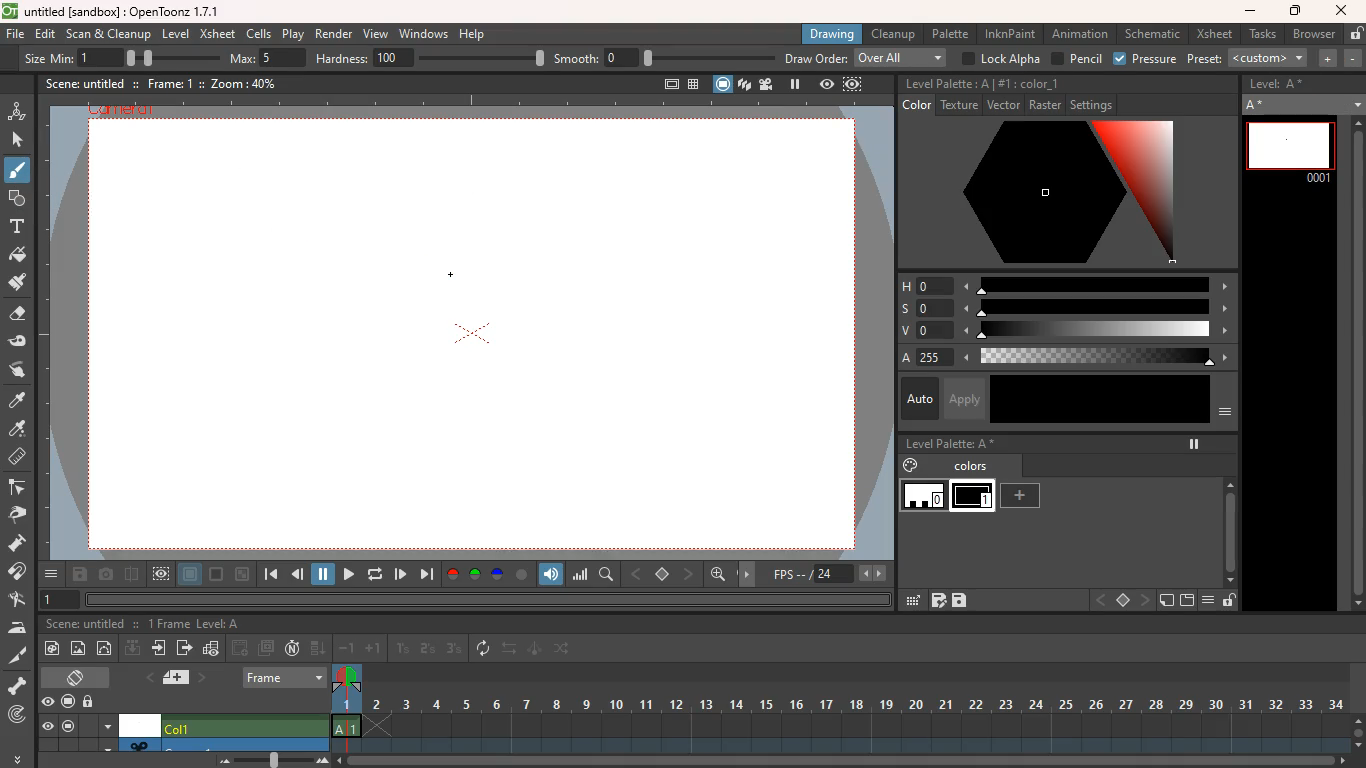 This screenshot has width=1366, height=768. I want to click on forms, so click(16, 199).